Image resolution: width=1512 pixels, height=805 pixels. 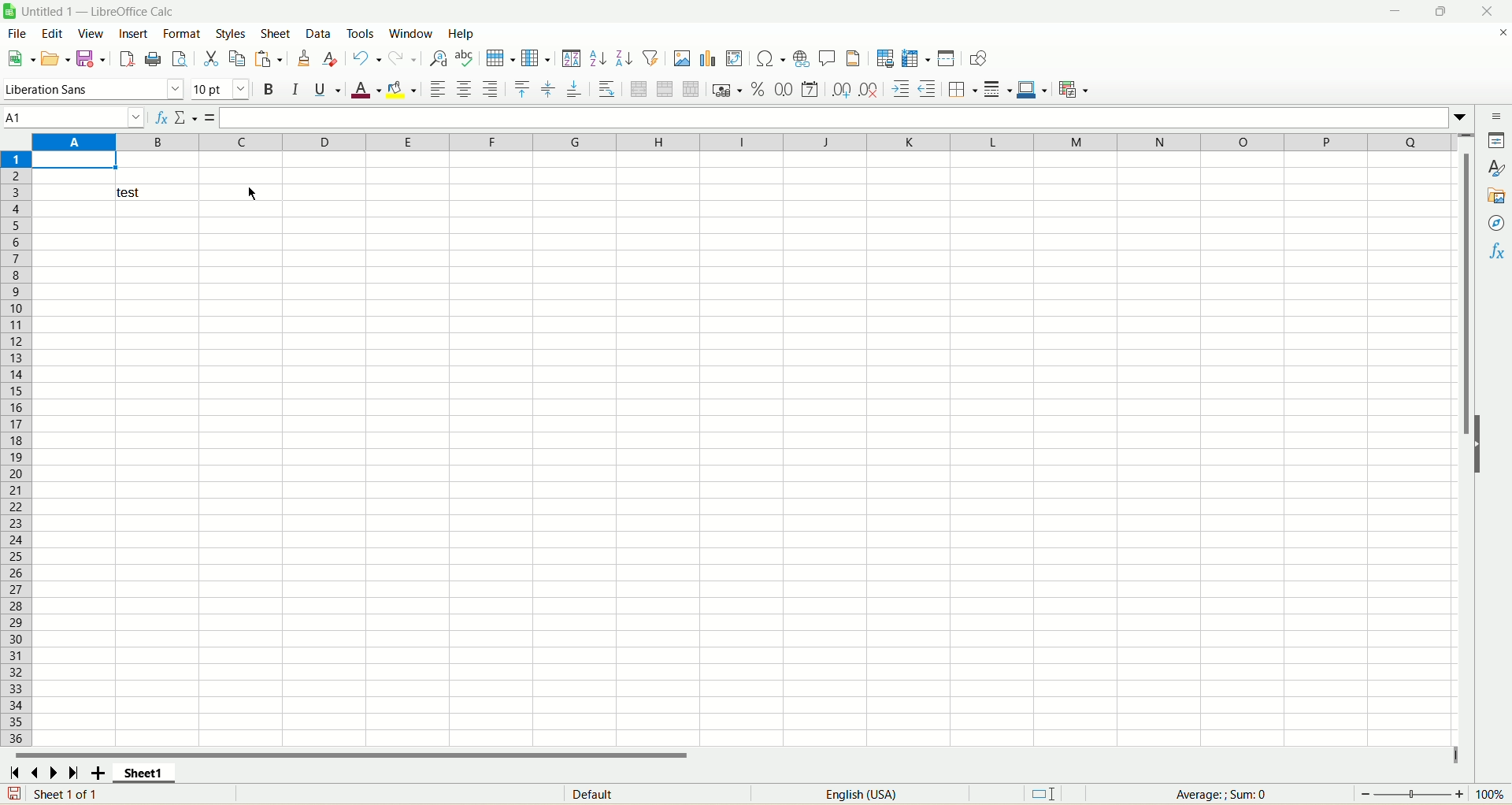 What do you see at coordinates (32, 772) in the screenshot?
I see `previous sheet` at bounding box center [32, 772].